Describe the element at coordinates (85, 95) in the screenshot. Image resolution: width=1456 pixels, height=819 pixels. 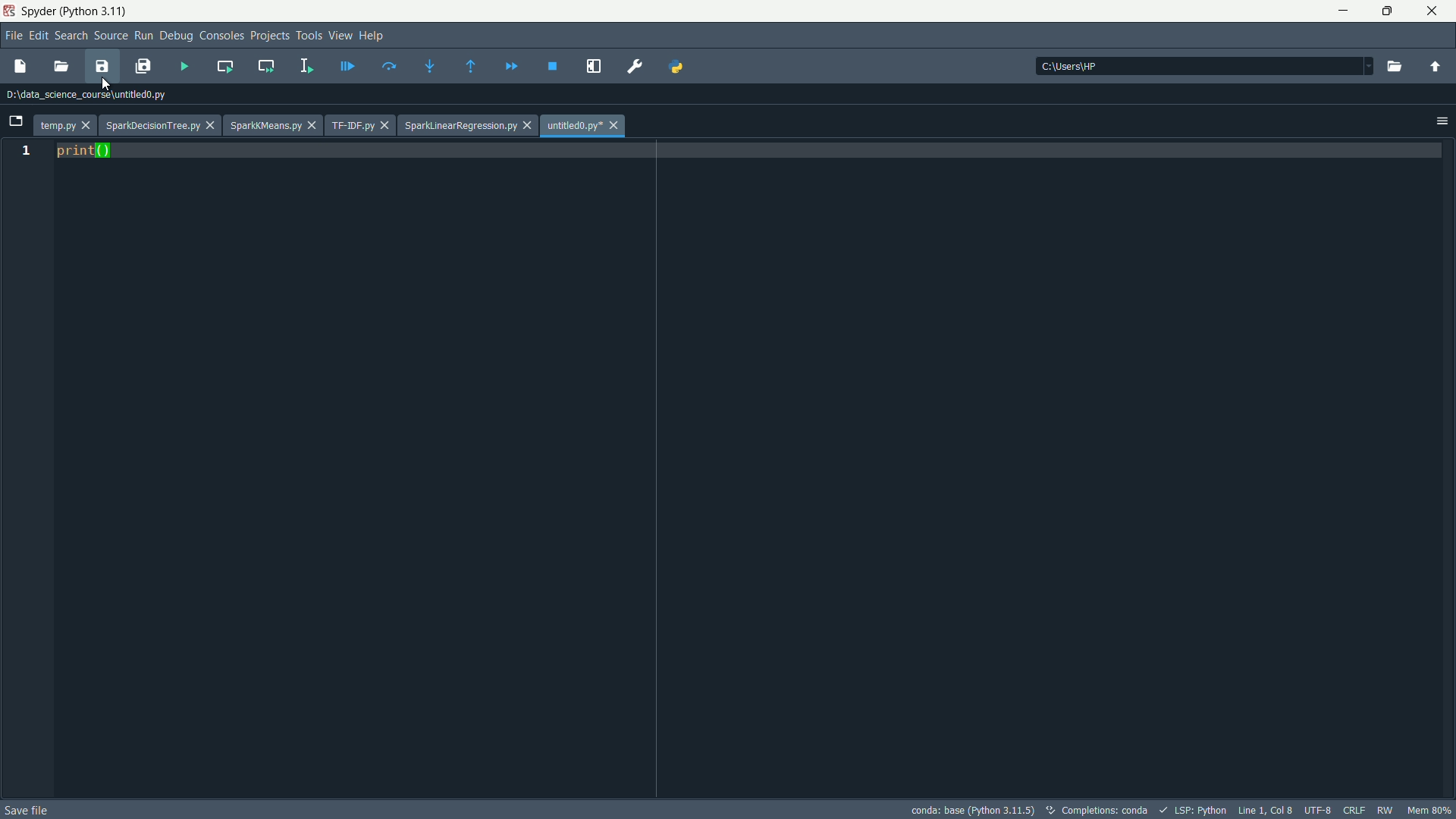
I see `File directory` at that location.